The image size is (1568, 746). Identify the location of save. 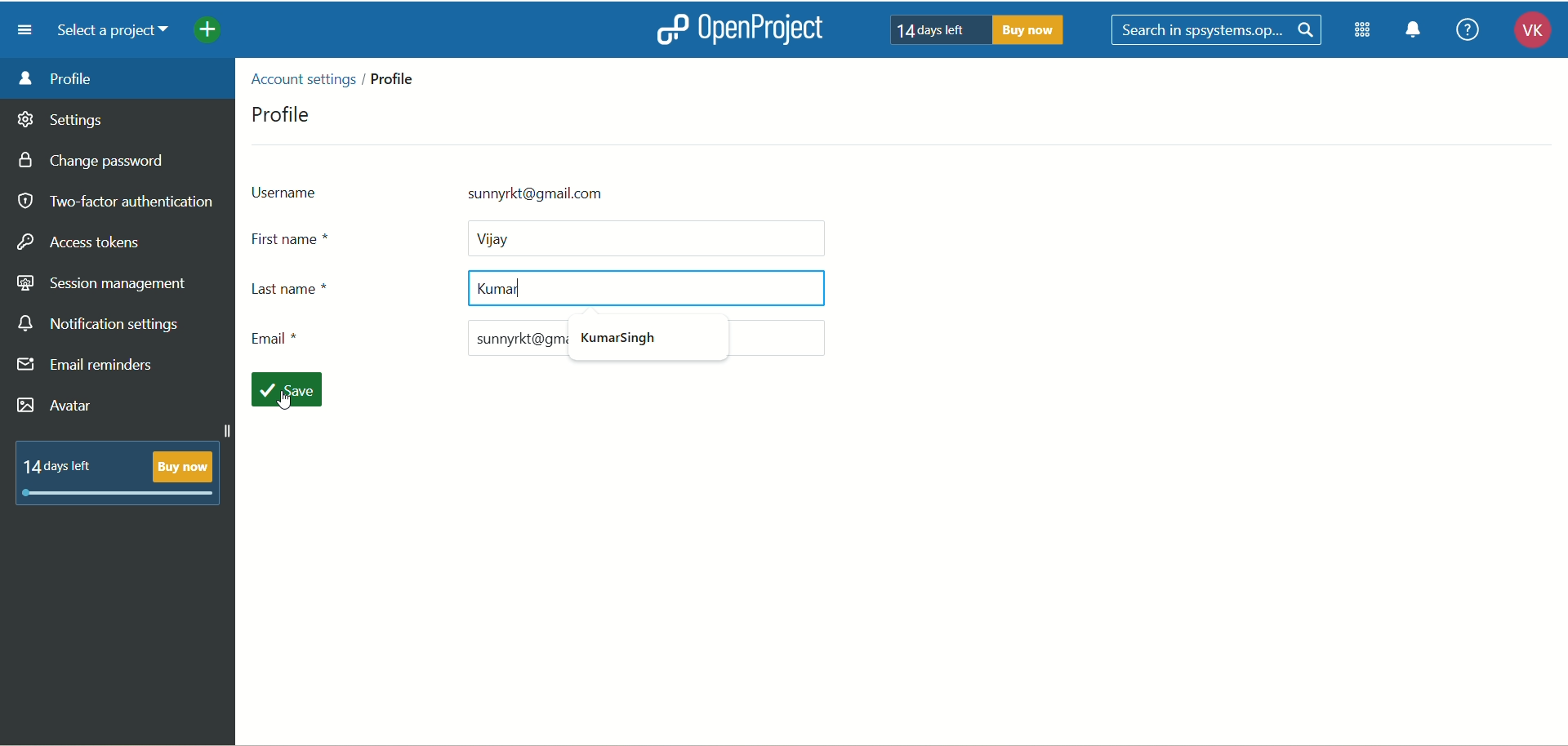
(292, 391).